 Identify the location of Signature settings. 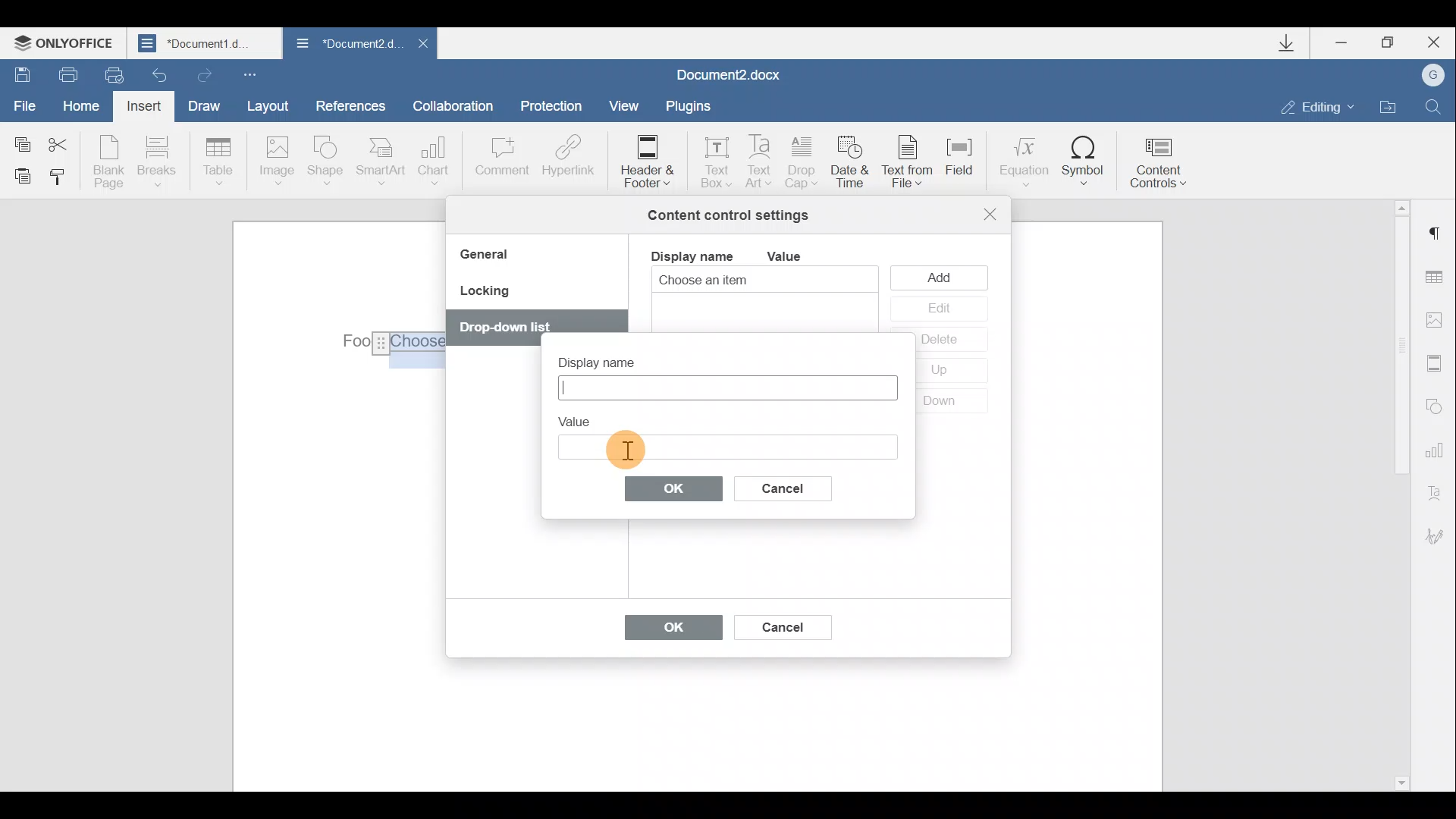
(1441, 536).